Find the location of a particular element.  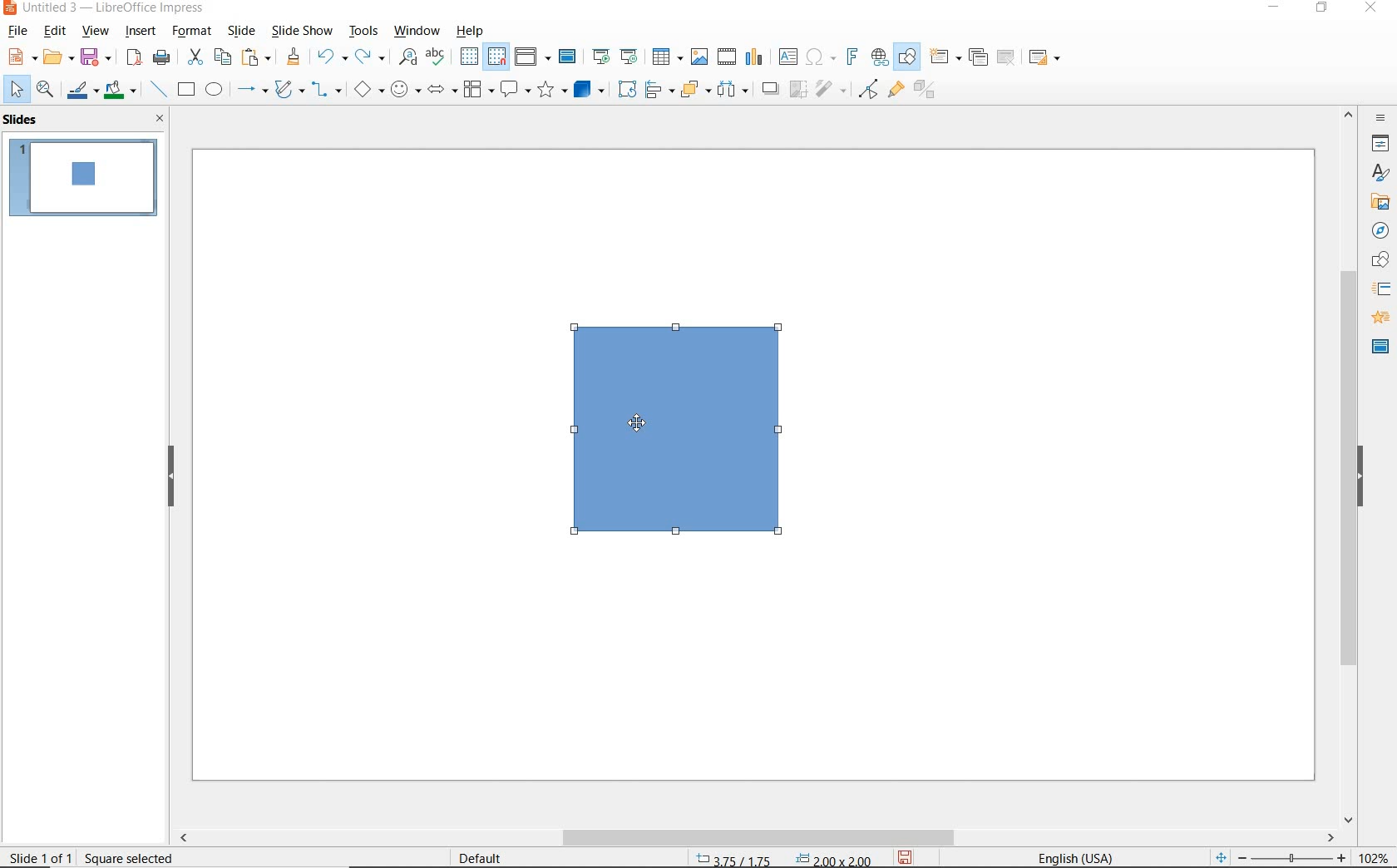

help is located at coordinates (471, 31).